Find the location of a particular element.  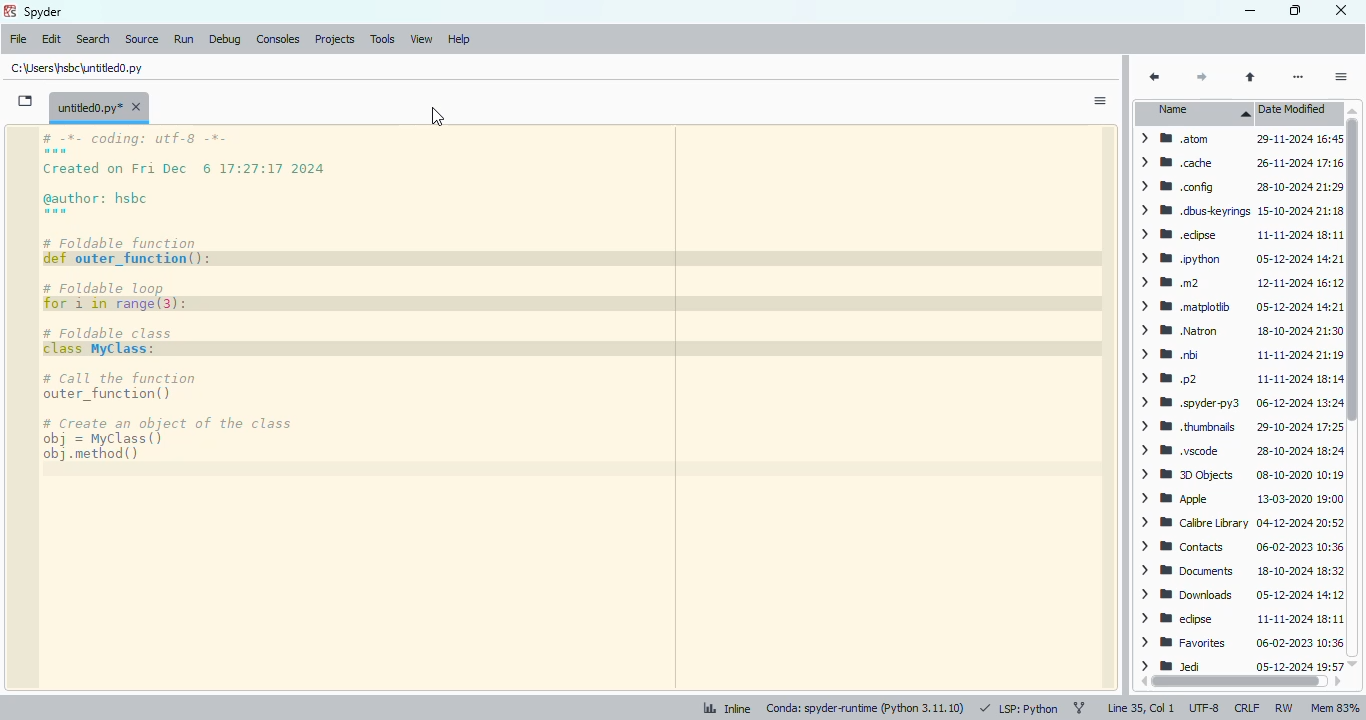

spyder is located at coordinates (43, 11).